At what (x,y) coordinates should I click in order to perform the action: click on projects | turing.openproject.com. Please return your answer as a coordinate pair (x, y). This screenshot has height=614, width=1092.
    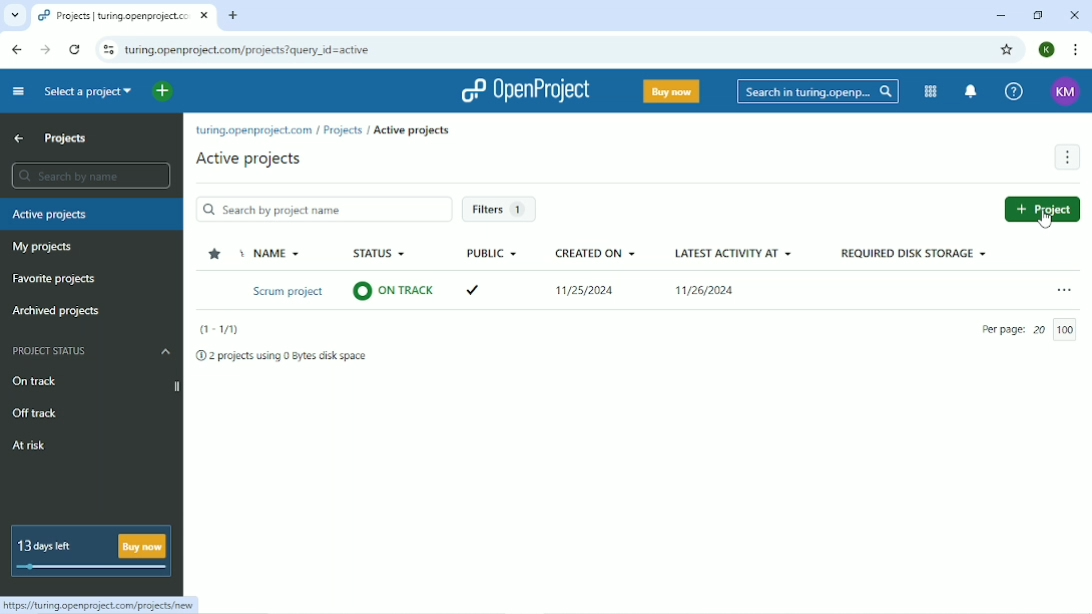
    Looking at the image, I should click on (114, 15).